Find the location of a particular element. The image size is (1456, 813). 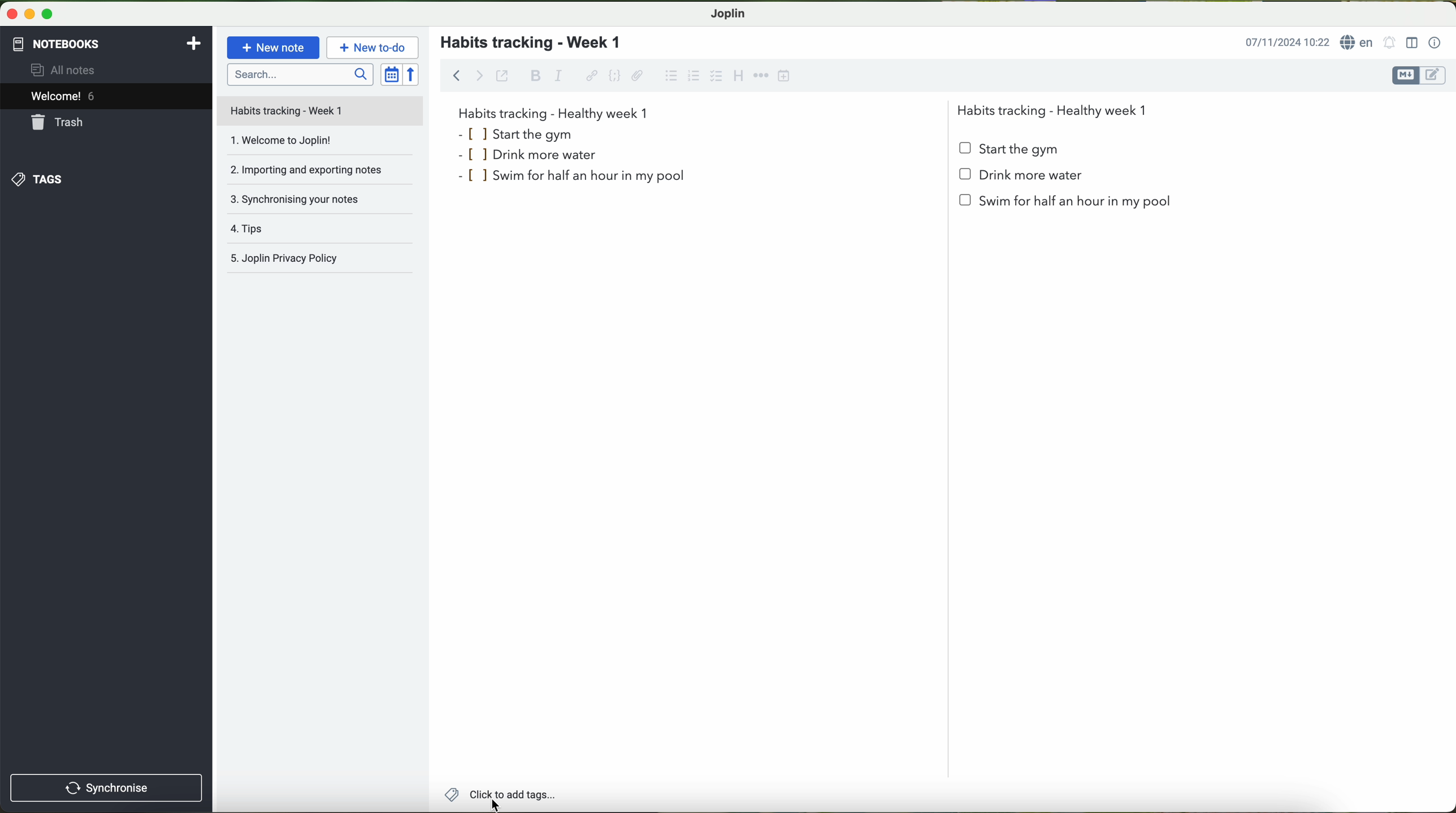

heading is located at coordinates (740, 79).